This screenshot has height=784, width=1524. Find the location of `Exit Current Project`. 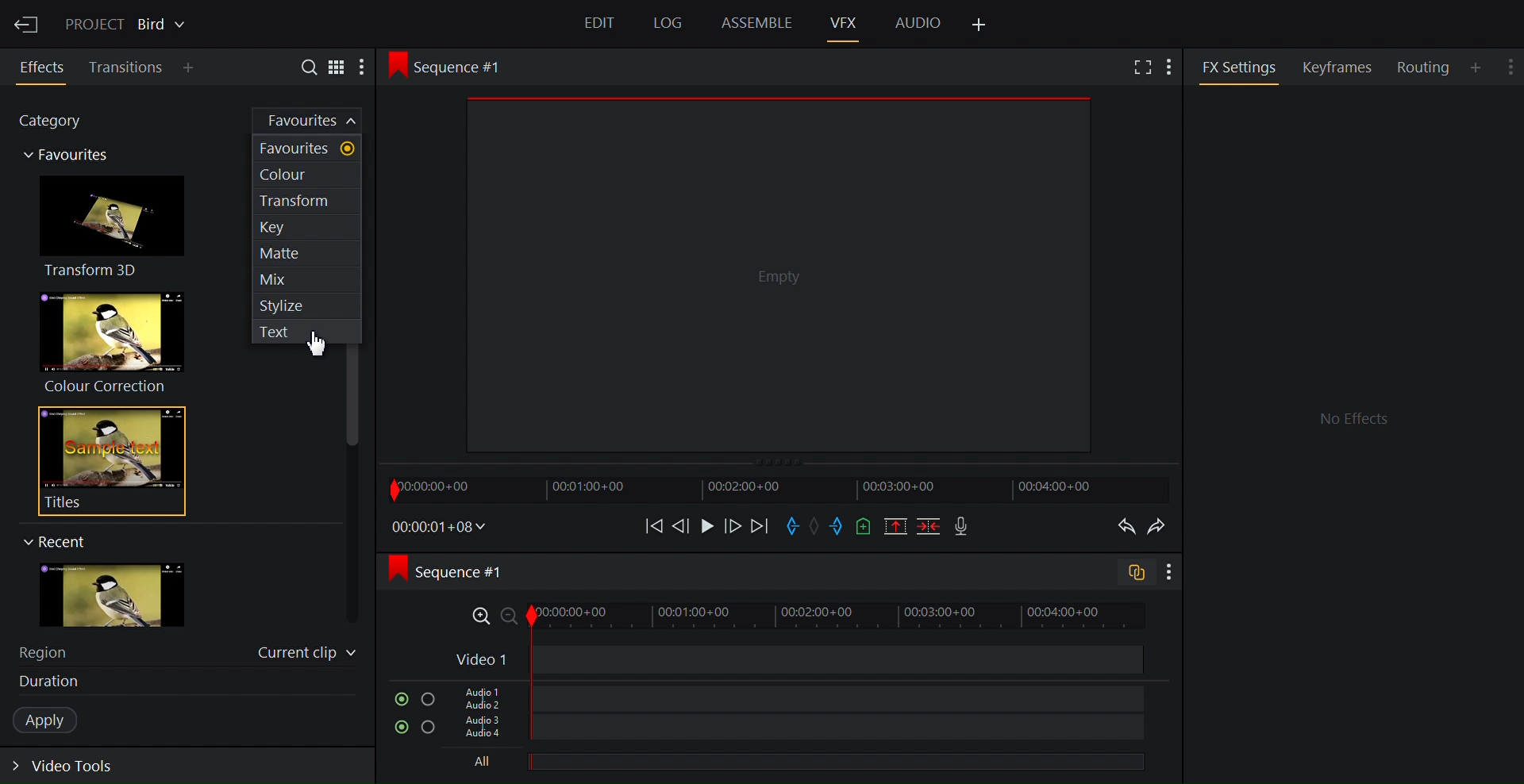

Exit Current Project is located at coordinates (28, 22).